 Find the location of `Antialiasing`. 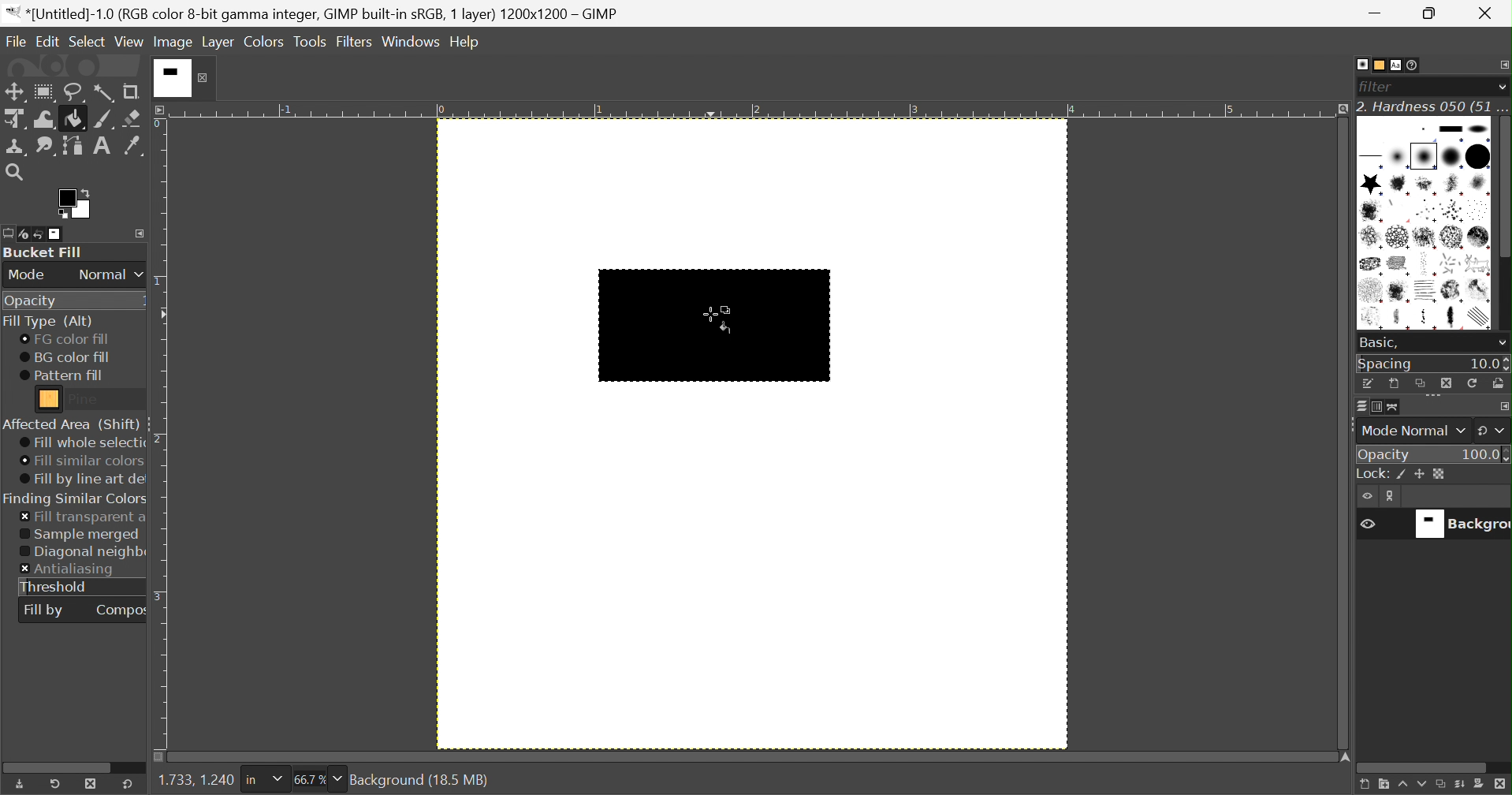

Antialiasing is located at coordinates (69, 570).